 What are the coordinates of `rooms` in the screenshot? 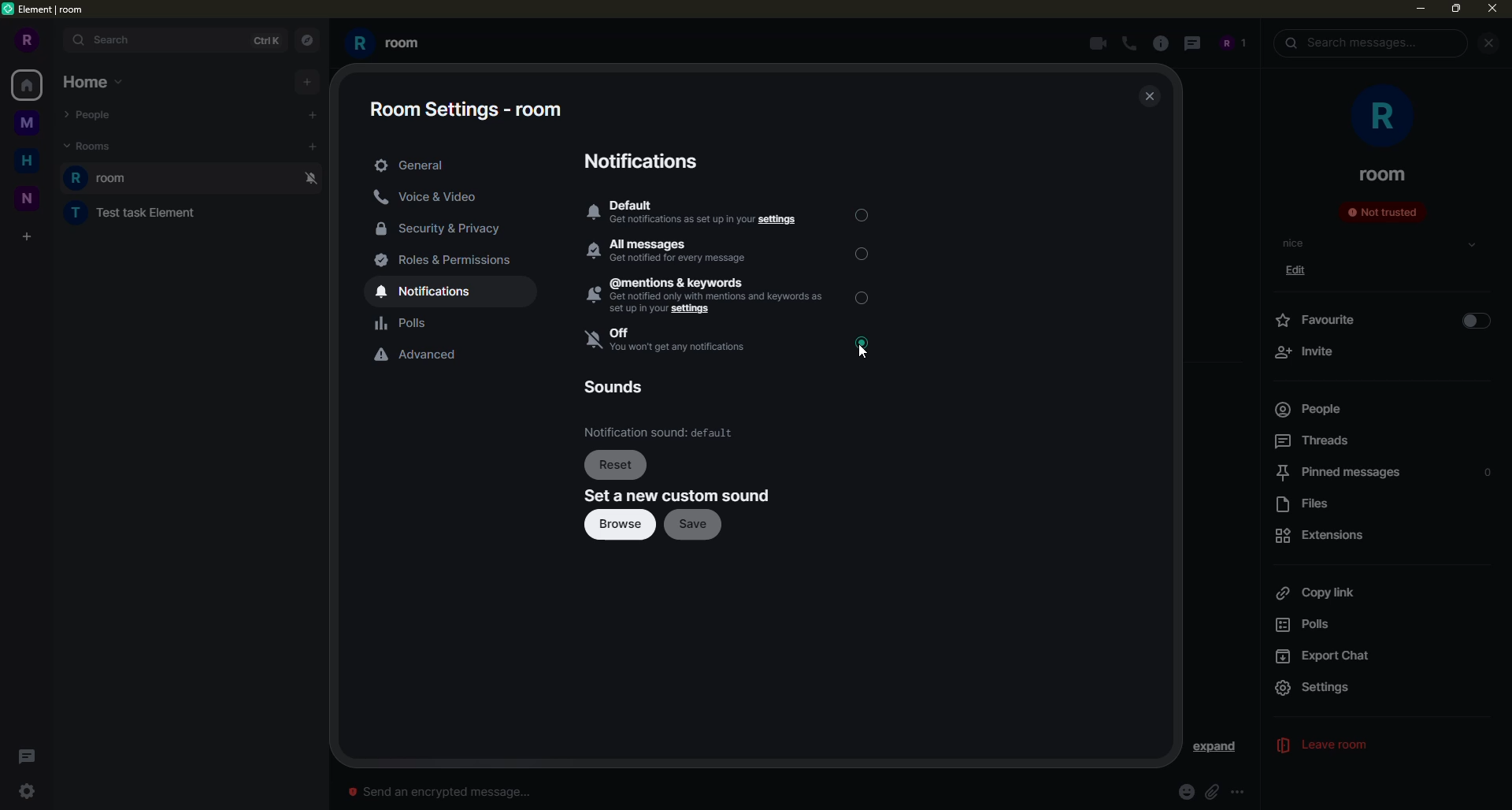 It's located at (89, 146).